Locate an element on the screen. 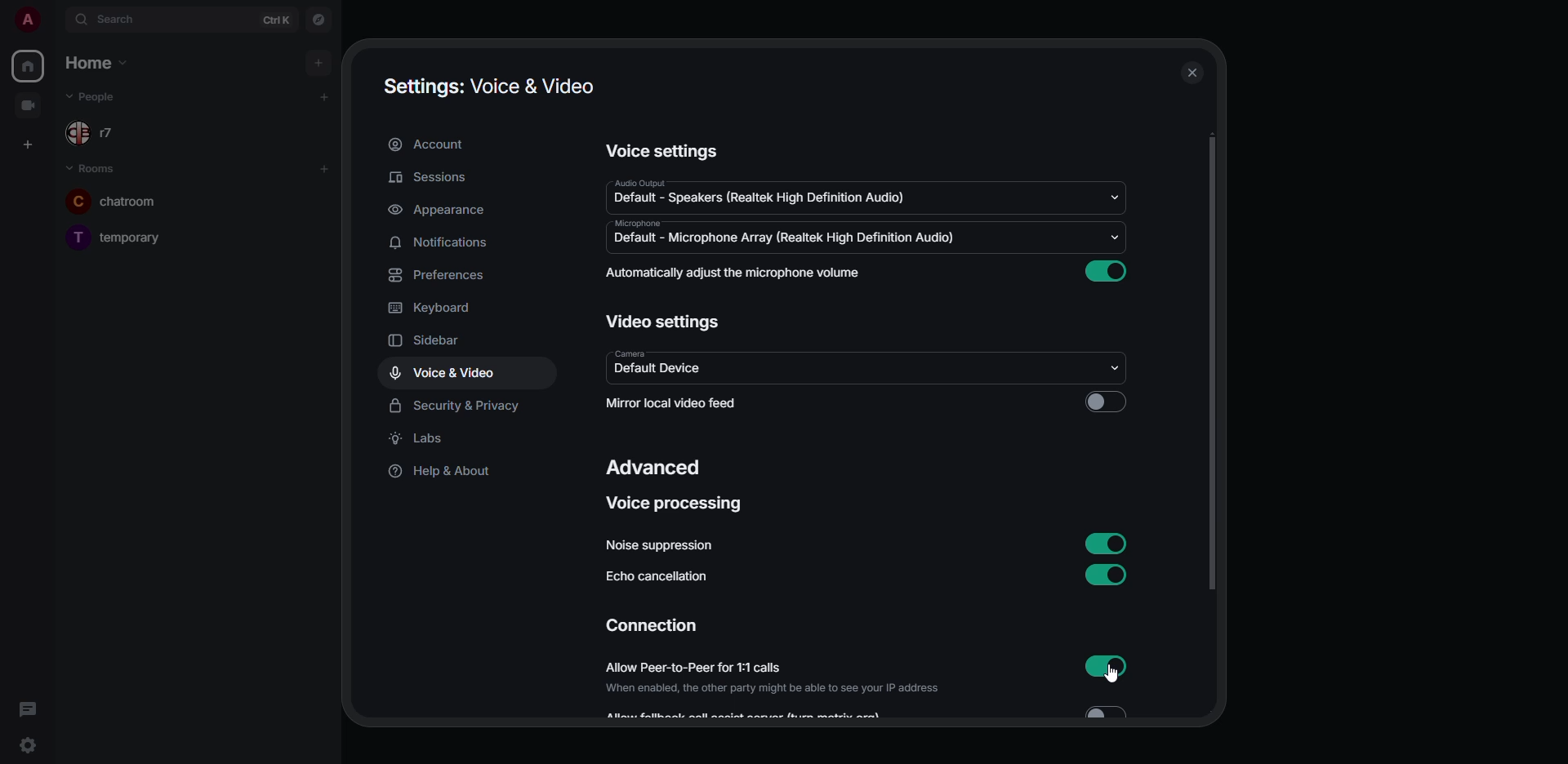 This screenshot has width=1568, height=764. enabled is located at coordinates (1105, 575).